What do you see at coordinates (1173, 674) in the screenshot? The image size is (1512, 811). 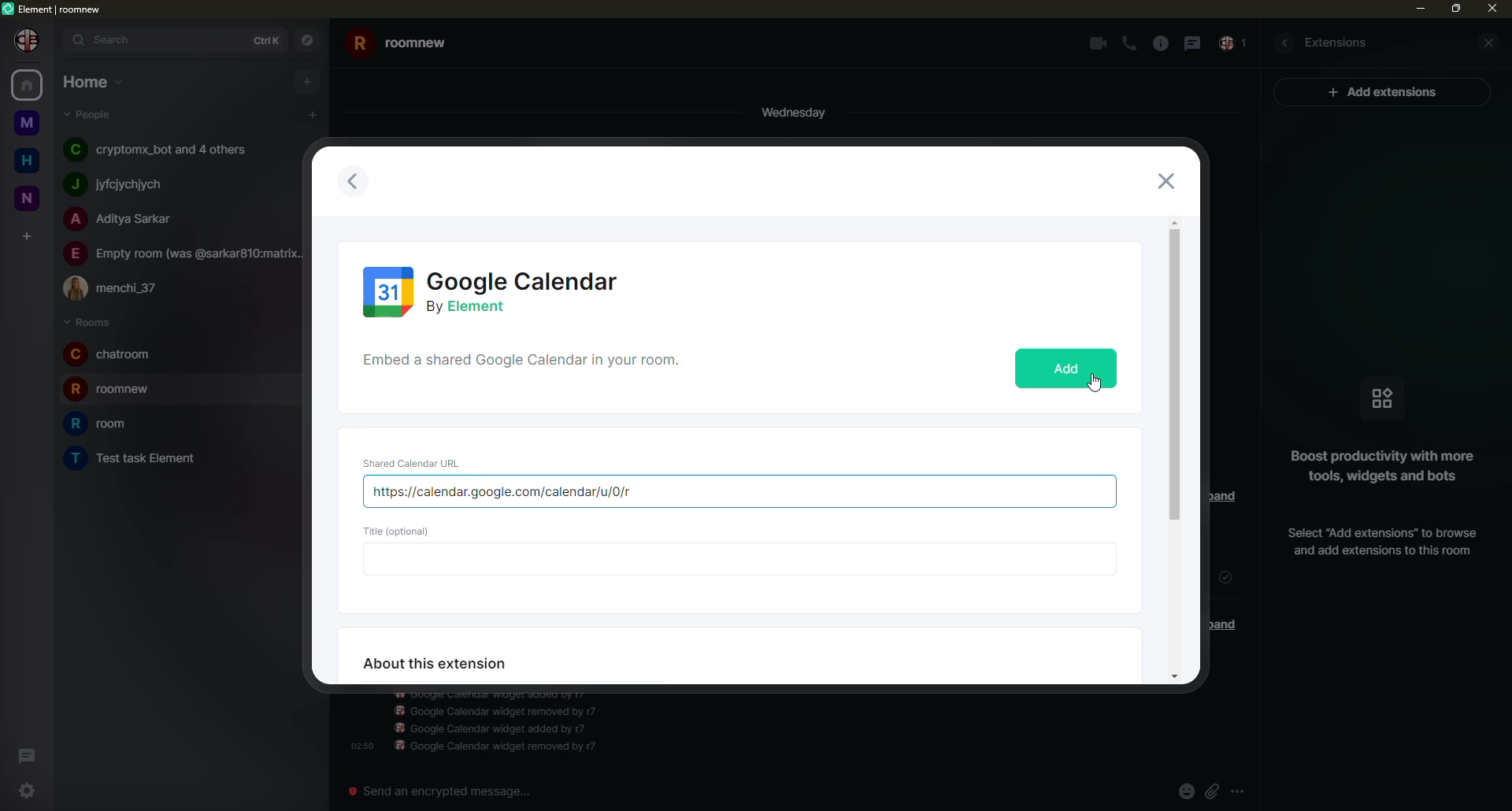 I see `move down` at bounding box center [1173, 674].